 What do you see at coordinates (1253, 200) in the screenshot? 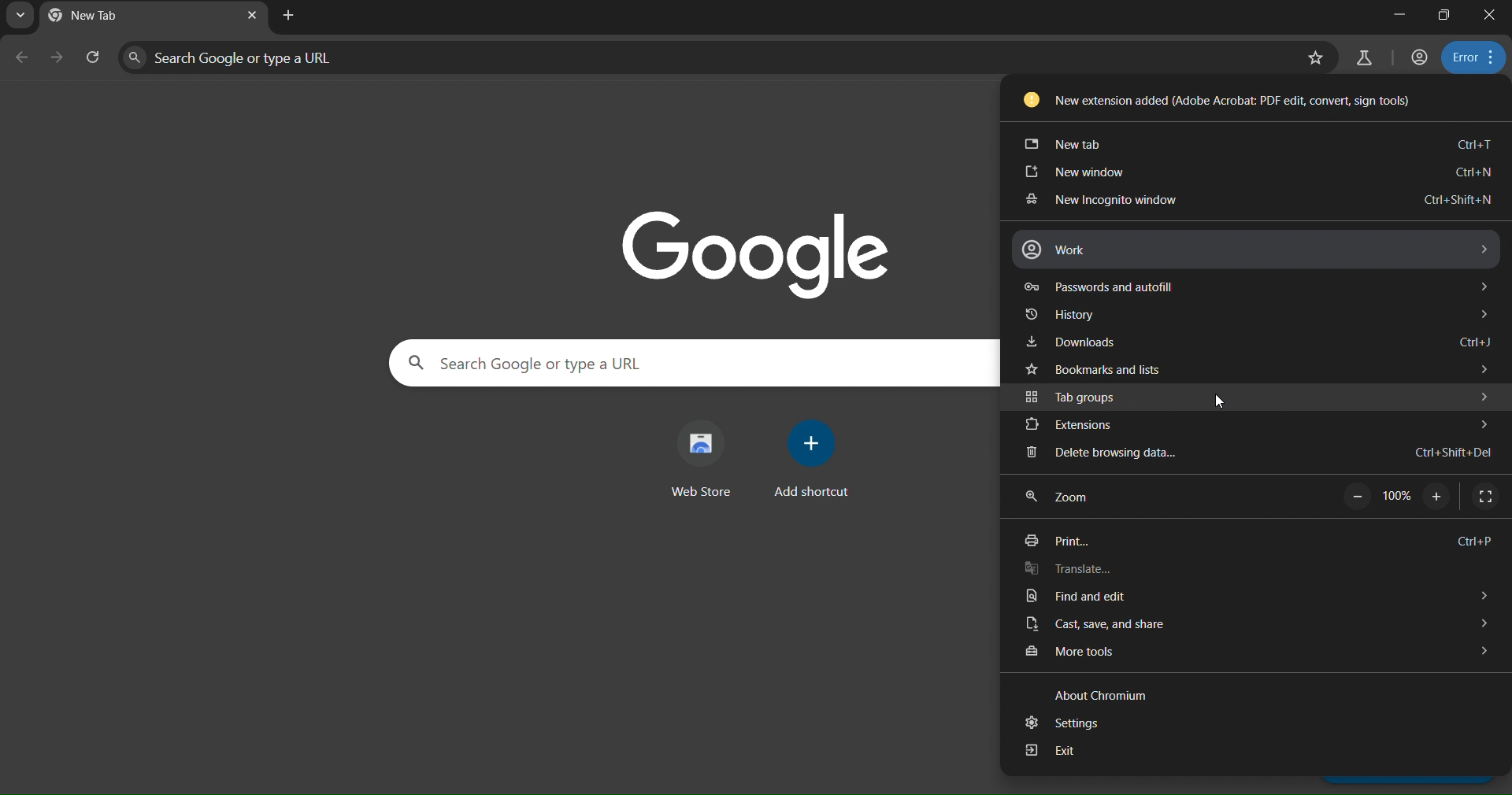
I see `new incognito window` at bounding box center [1253, 200].